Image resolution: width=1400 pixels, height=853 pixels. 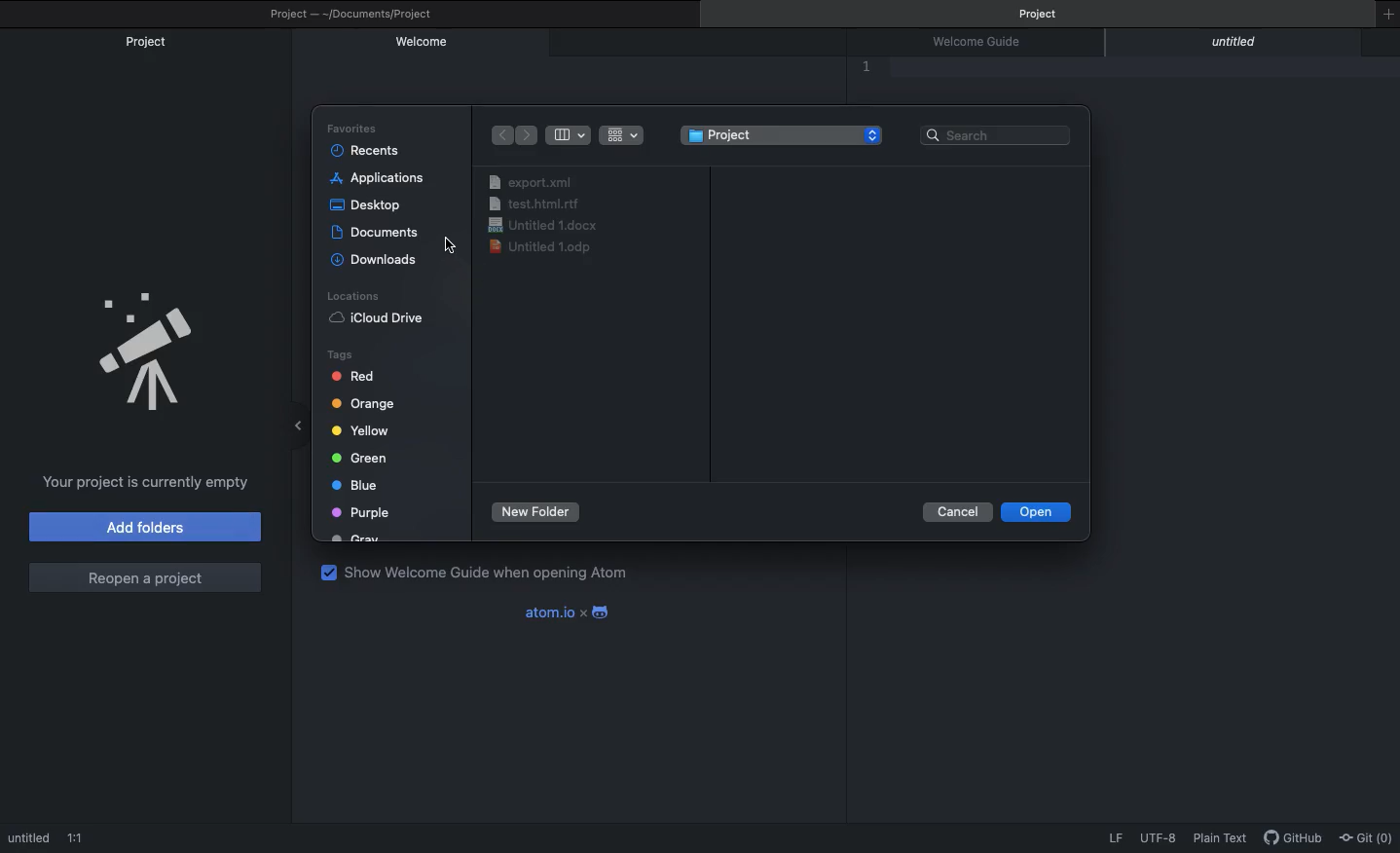 I want to click on Project is currently empty , so click(x=144, y=484).